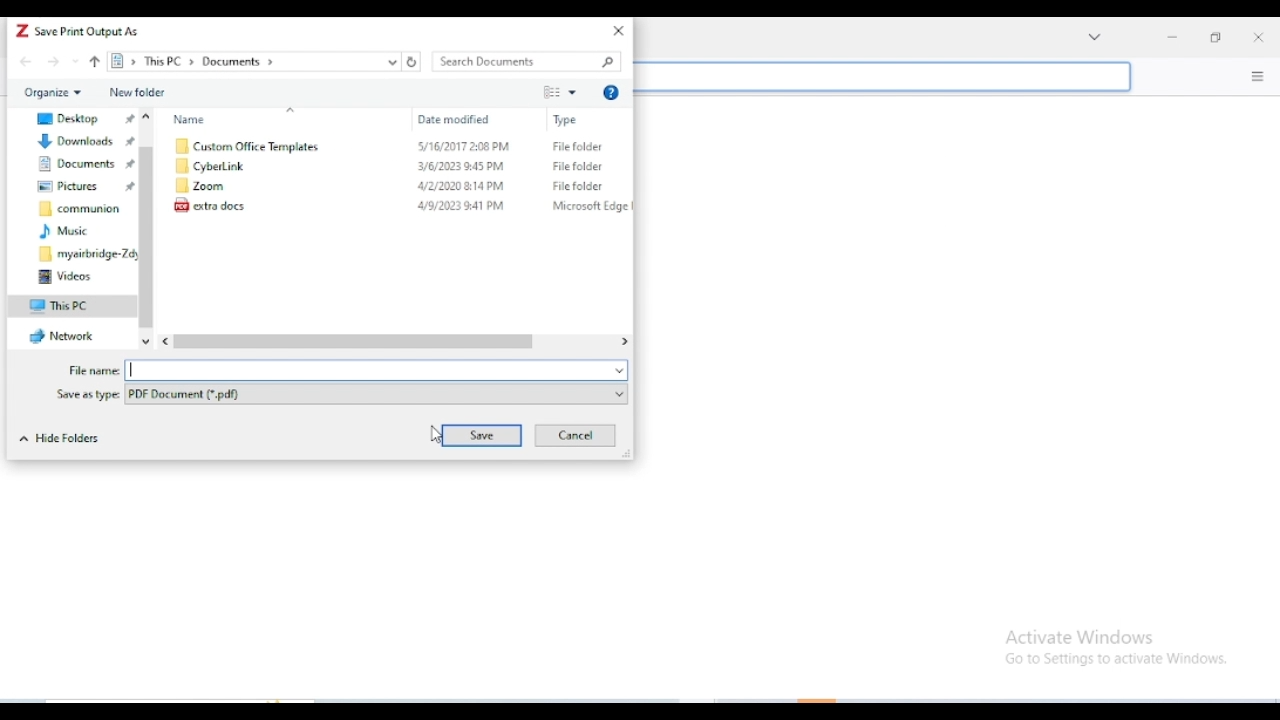 The width and height of the screenshot is (1280, 720). Describe the element at coordinates (455, 120) in the screenshot. I see `Date modified` at that location.